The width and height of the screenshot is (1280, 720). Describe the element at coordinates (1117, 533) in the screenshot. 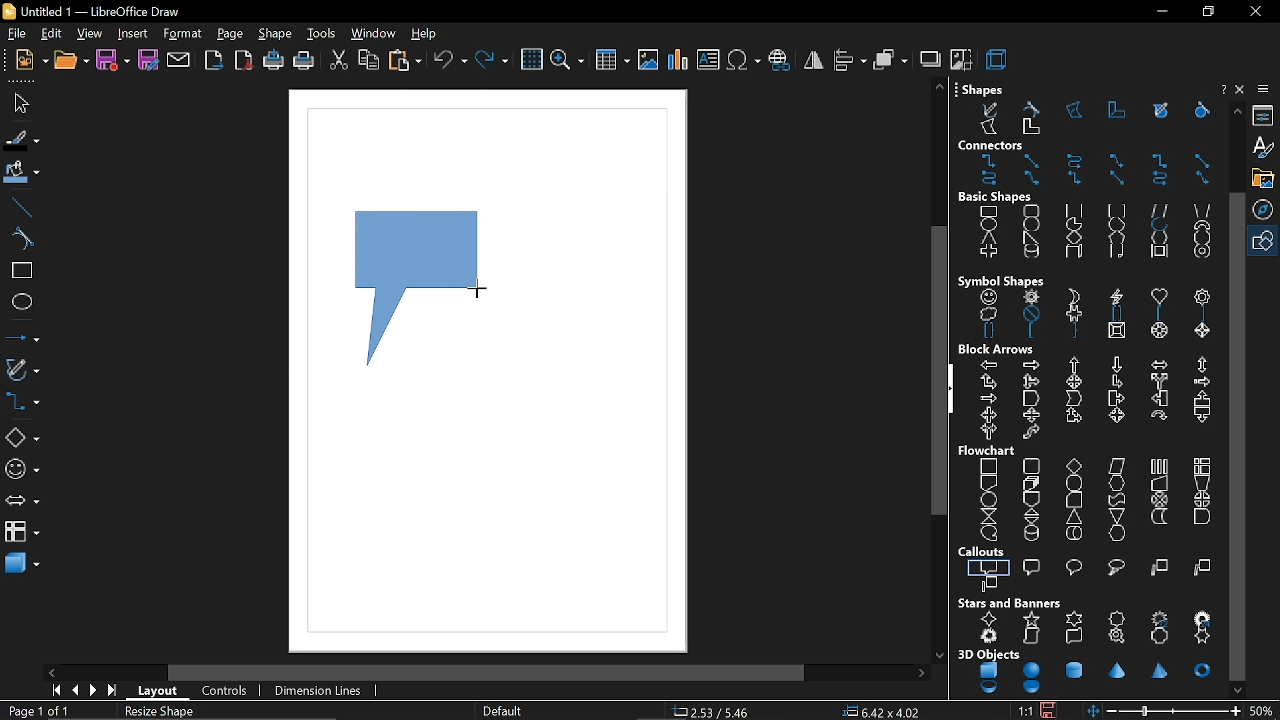

I see `display` at that location.